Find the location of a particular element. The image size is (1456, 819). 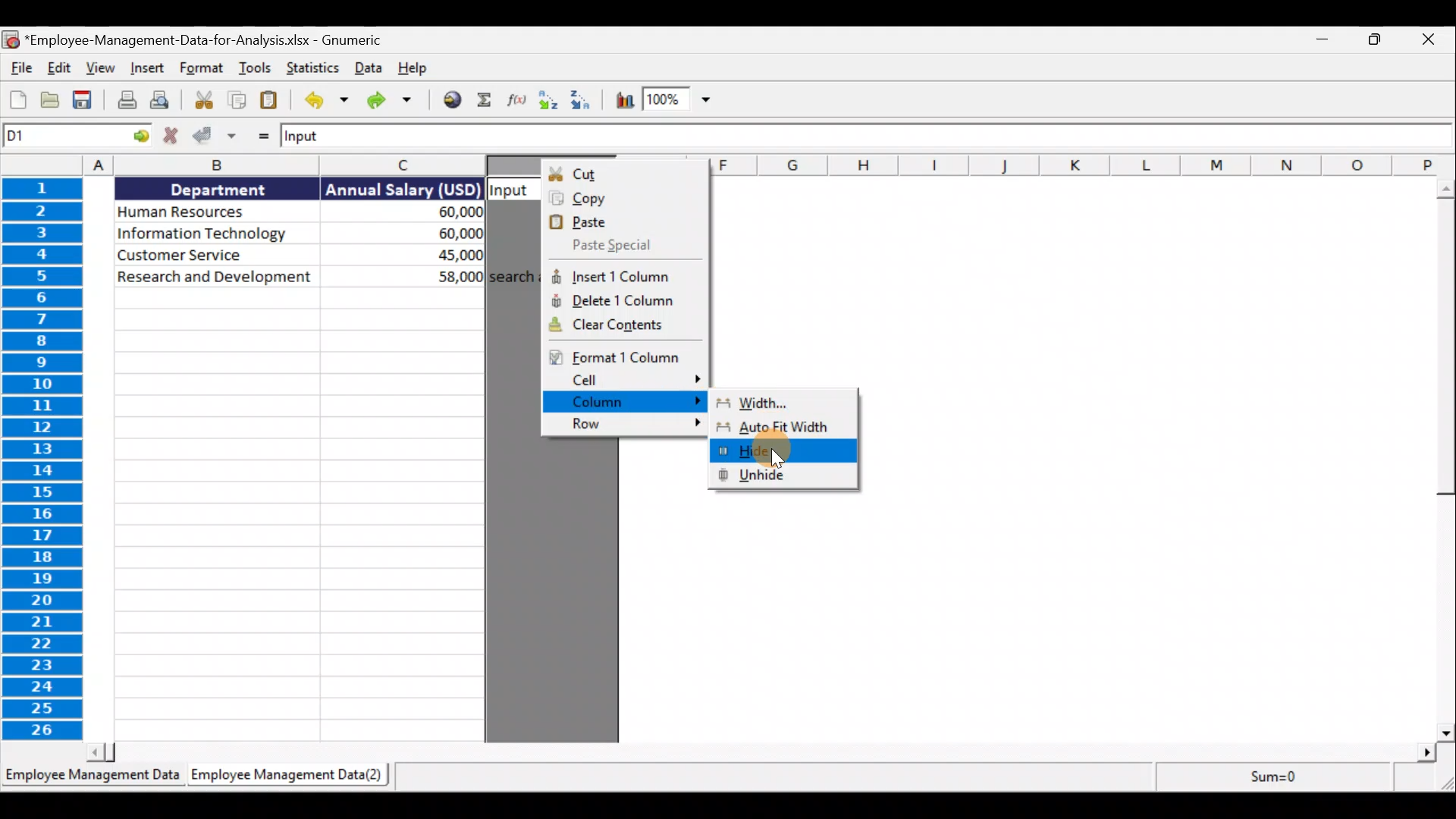

Sum into the current cell is located at coordinates (484, 102).